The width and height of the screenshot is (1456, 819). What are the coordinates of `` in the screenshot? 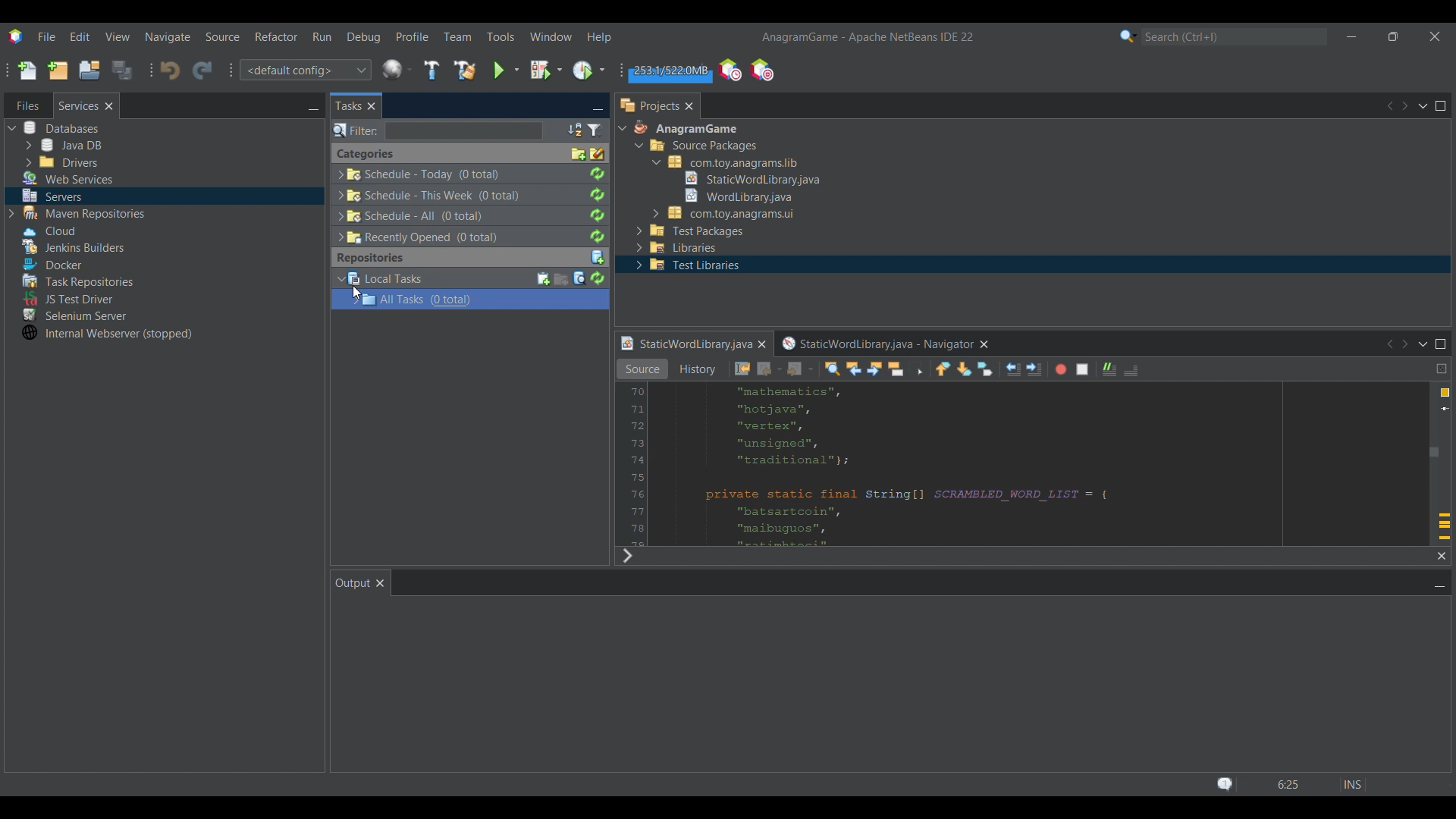 It's located at (113, 337).